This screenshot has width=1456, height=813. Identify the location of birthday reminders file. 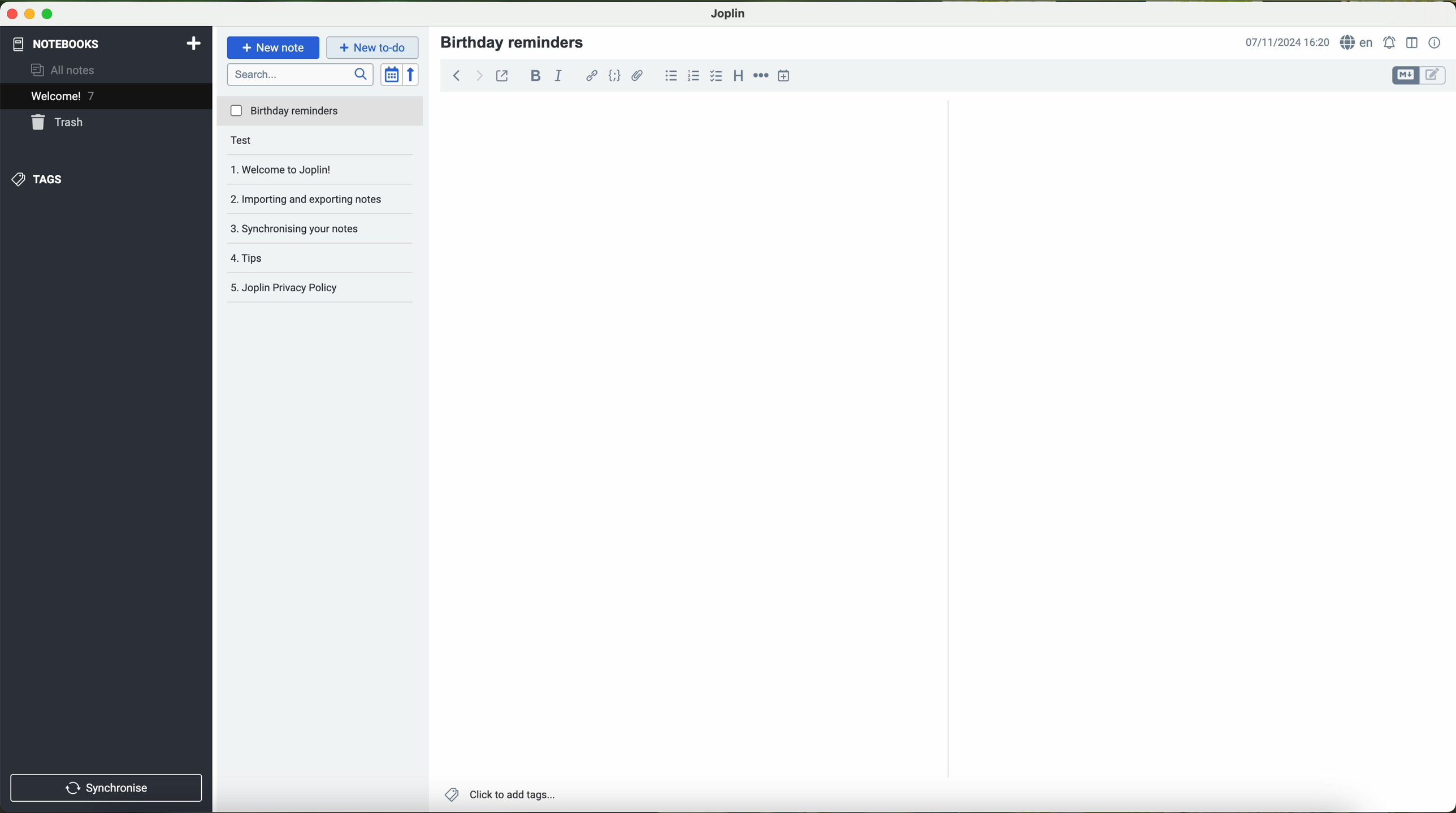
(321, 113).